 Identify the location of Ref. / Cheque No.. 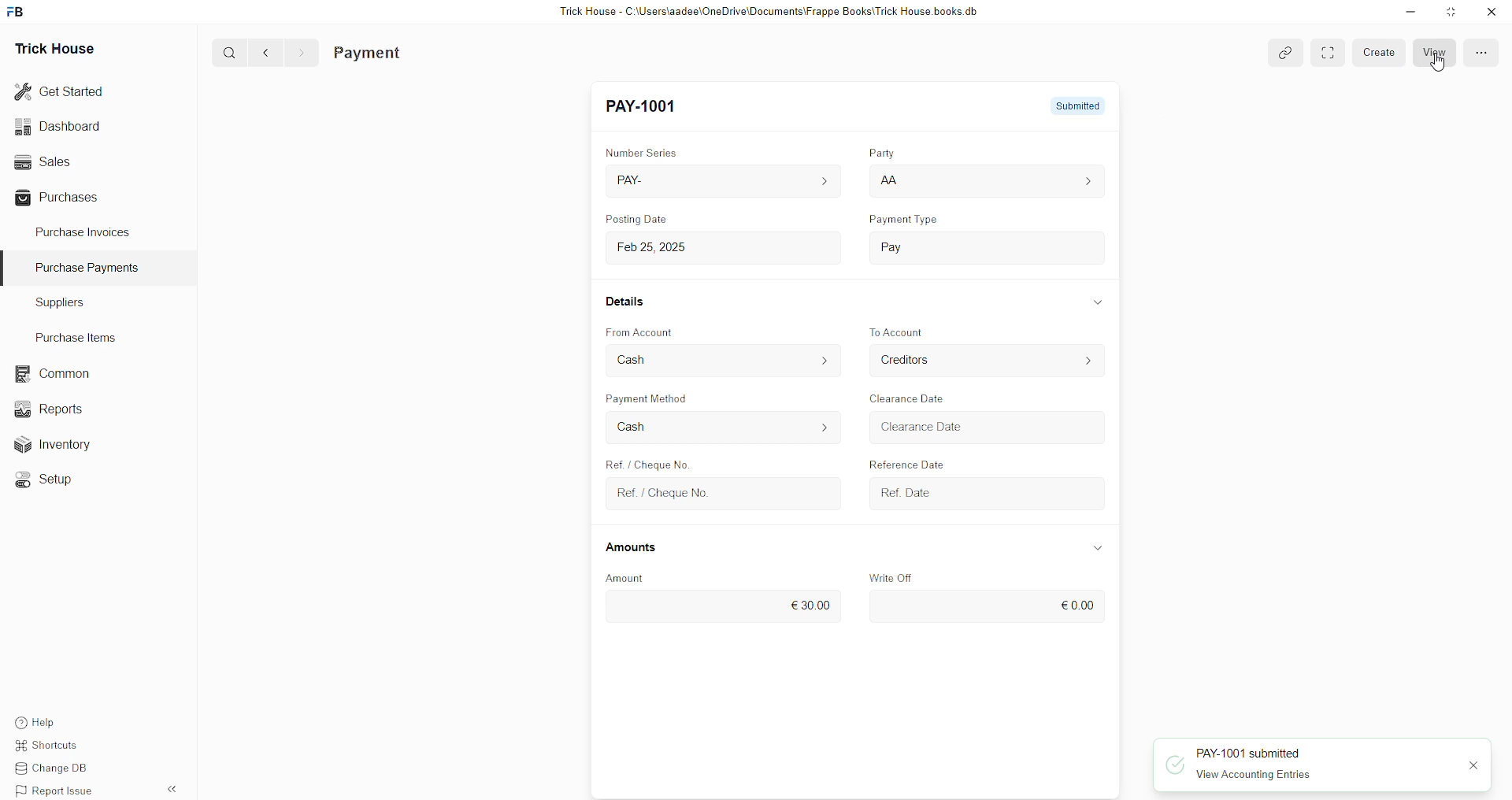
(678, 494).